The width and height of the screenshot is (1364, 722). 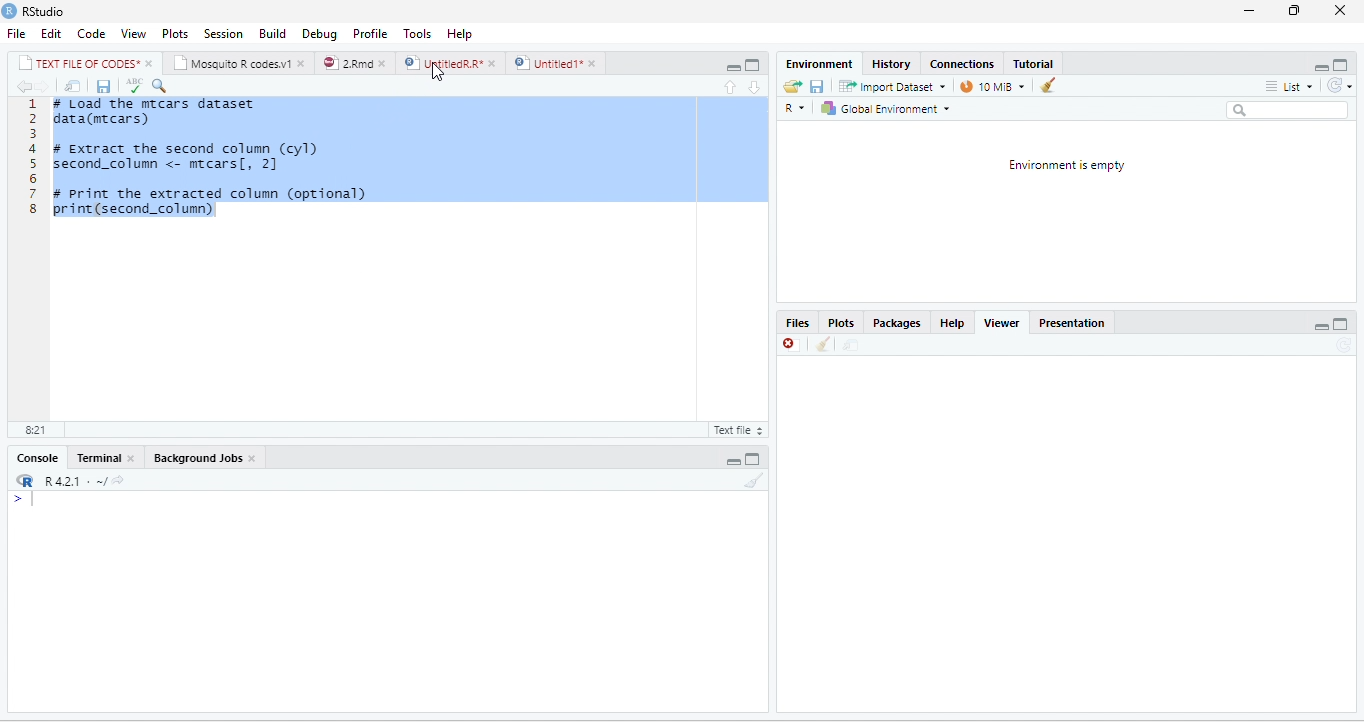 What do you see at coordinates (90, 32) in the screenshot?
I see `Code` at bounding box center [90, 32].